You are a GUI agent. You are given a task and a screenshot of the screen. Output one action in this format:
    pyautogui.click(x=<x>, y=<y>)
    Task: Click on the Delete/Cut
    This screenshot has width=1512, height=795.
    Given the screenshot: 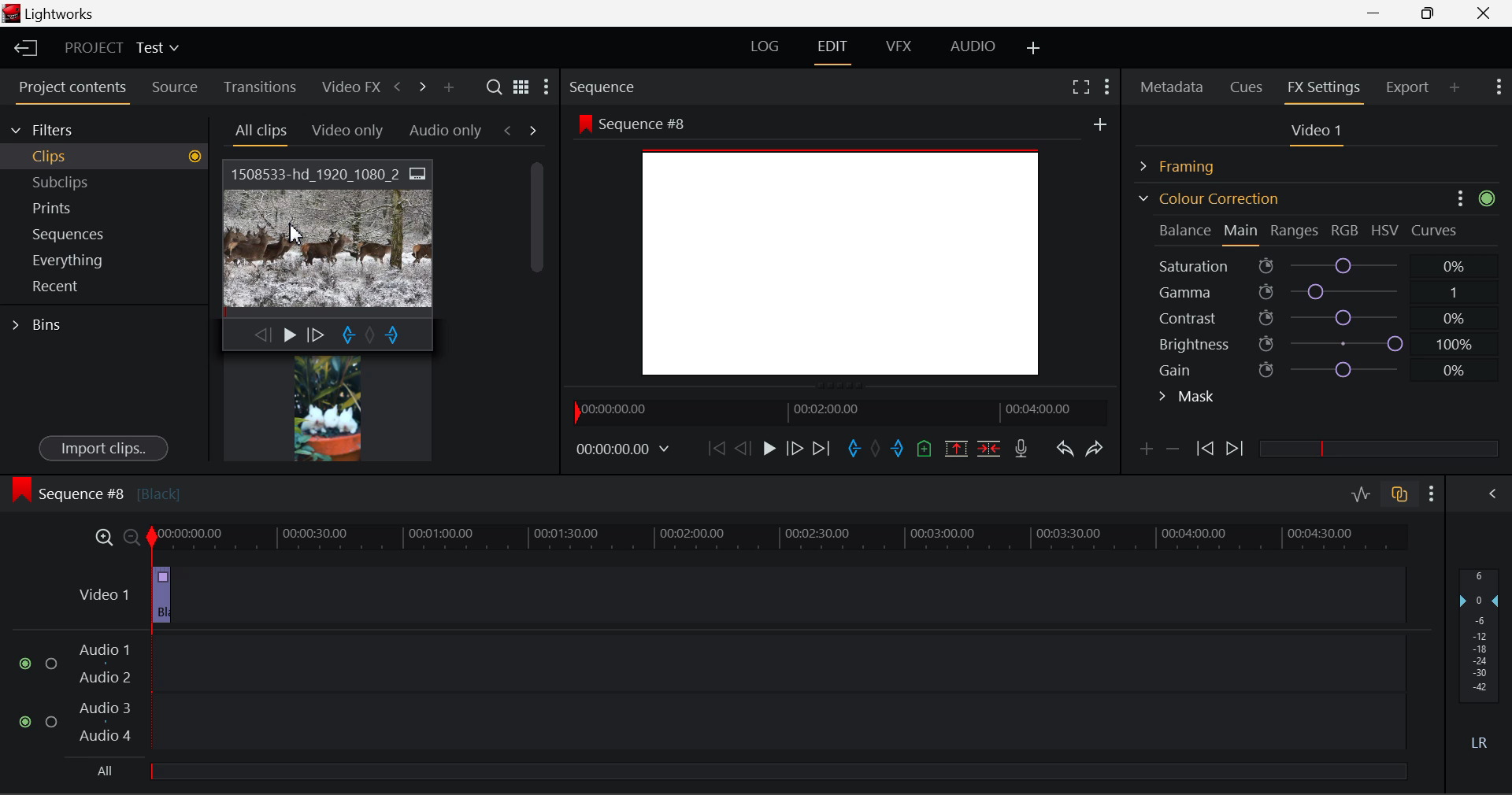 What is the action you would take?
    pyautogui.click(x=989, y=448)
    